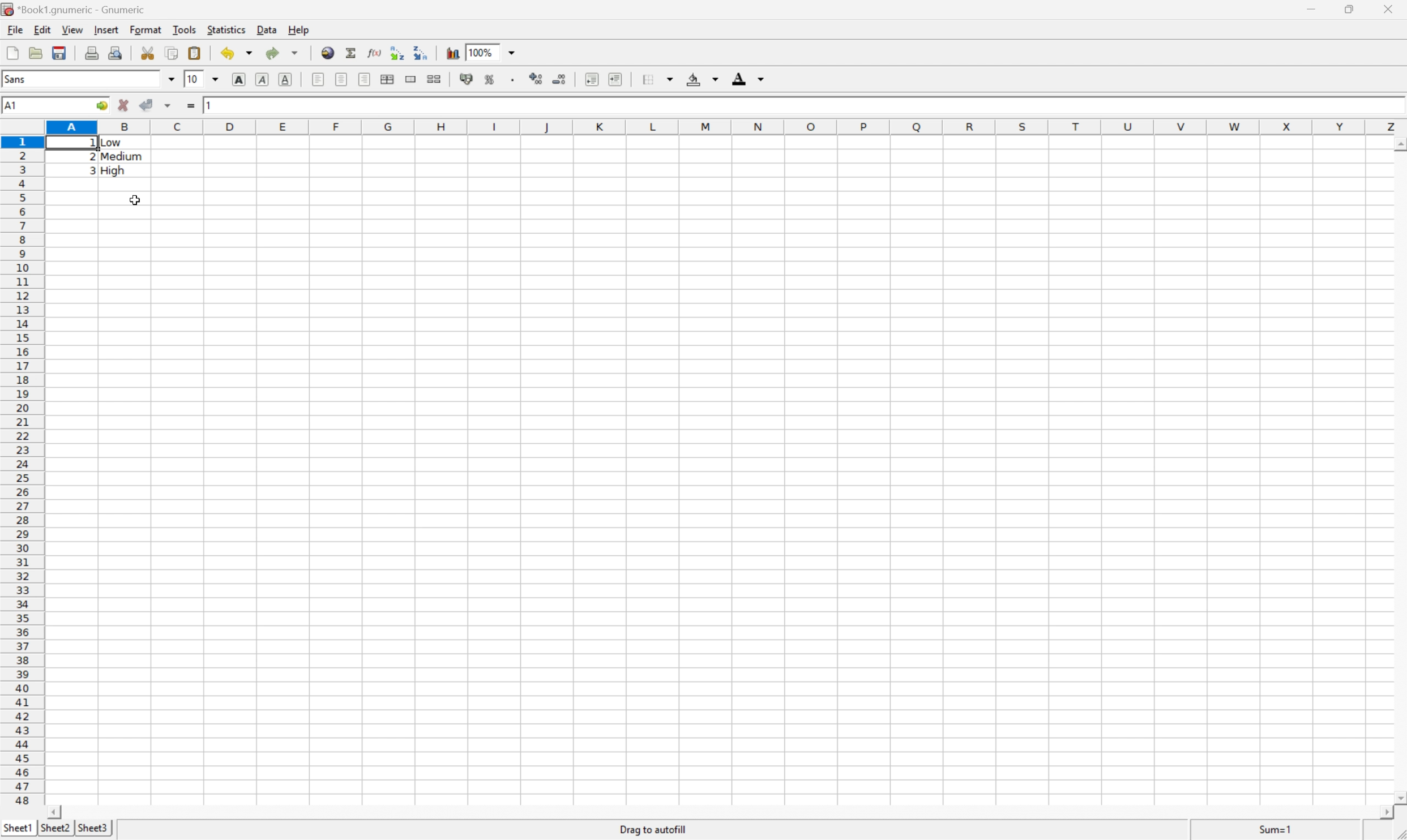  Describe the element at coordinates (559, 79) in the screenshot. I see `Decrease the number of decimals displayed` at that location.